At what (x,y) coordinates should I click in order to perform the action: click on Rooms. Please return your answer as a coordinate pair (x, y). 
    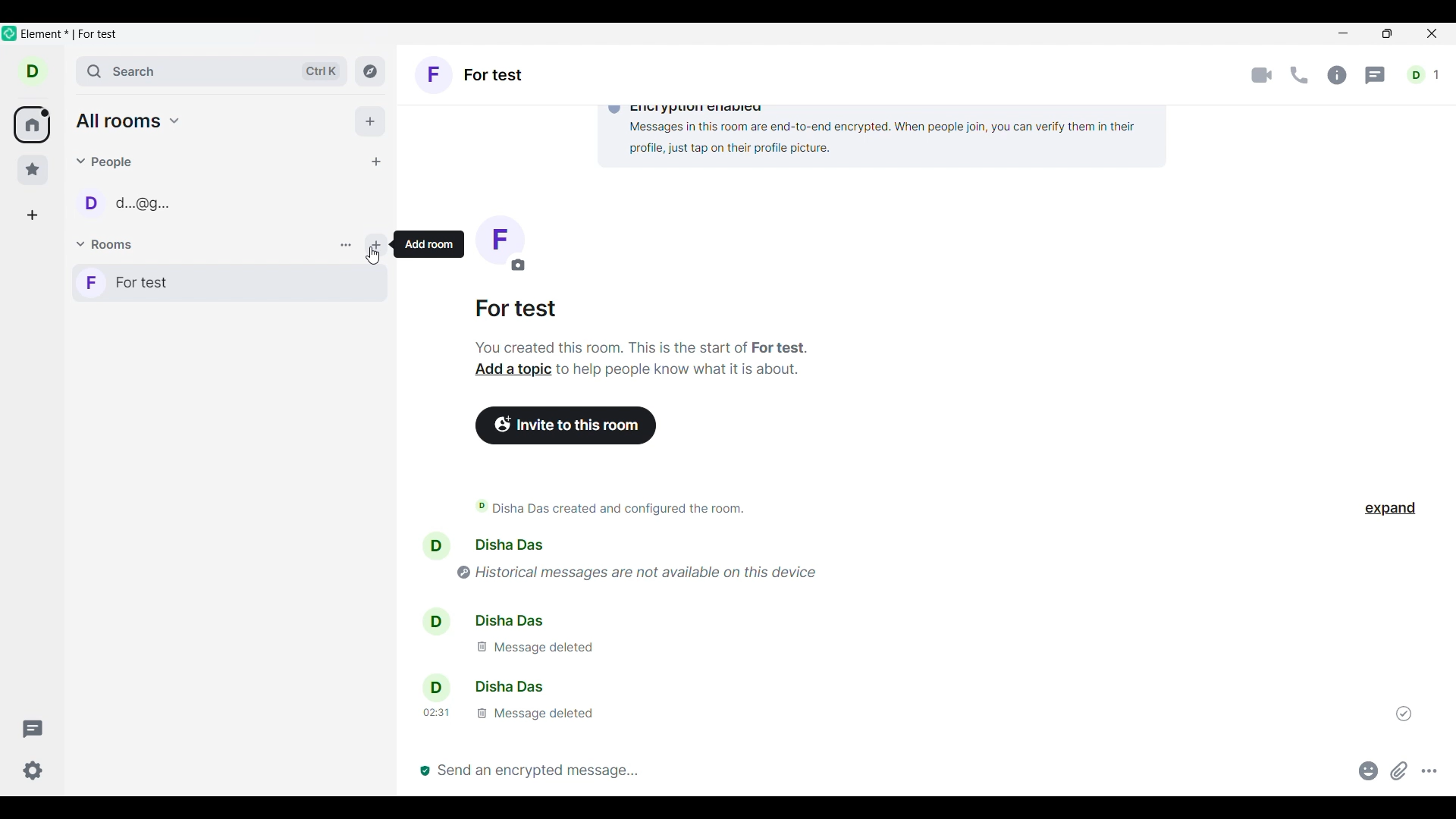
    Looking at the image, I should click on (106, 243).